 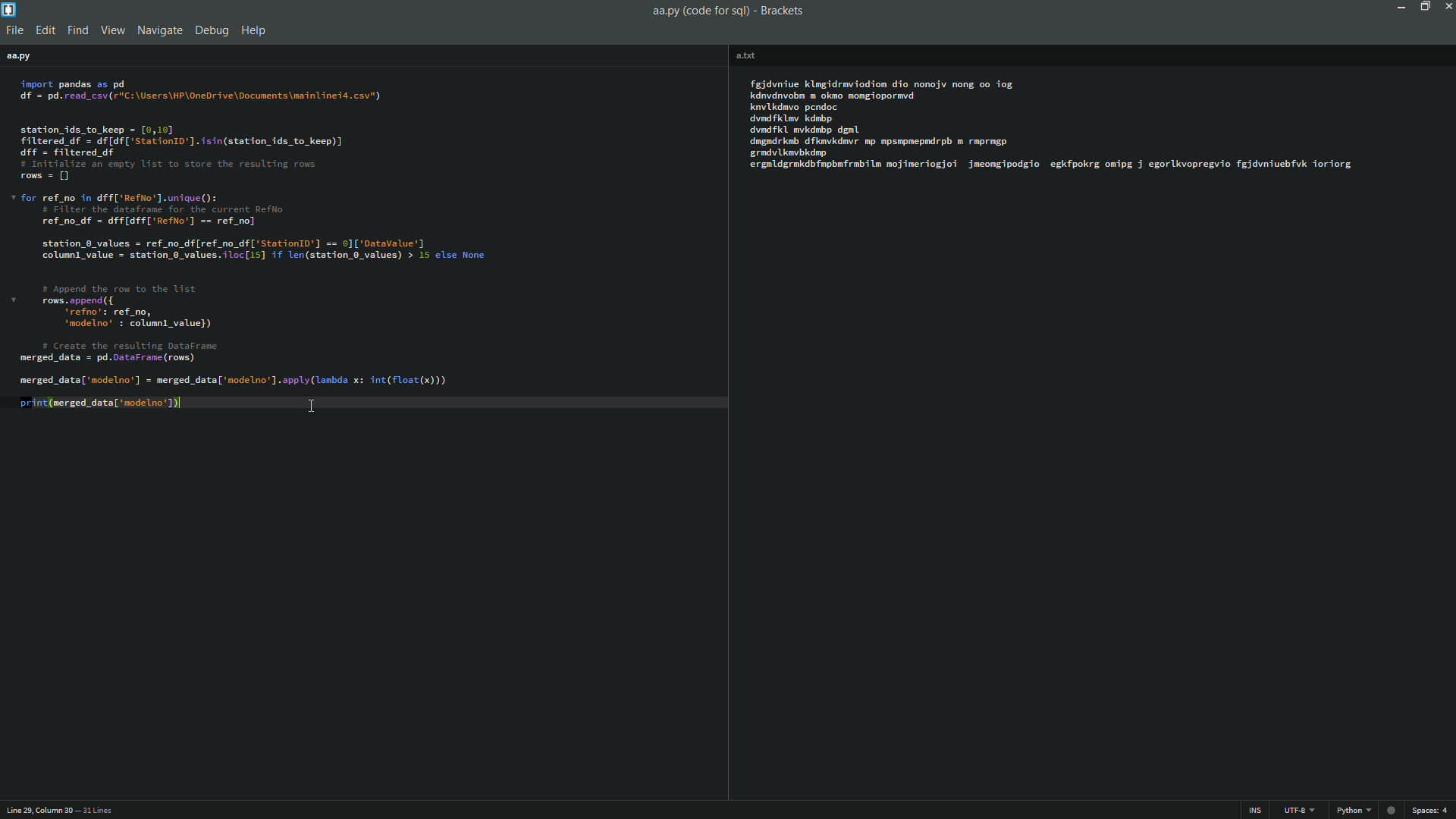 What do you see at coordinates (116, 31) in the screenshot?
I see `view menu` at bounding box center [116, 31].